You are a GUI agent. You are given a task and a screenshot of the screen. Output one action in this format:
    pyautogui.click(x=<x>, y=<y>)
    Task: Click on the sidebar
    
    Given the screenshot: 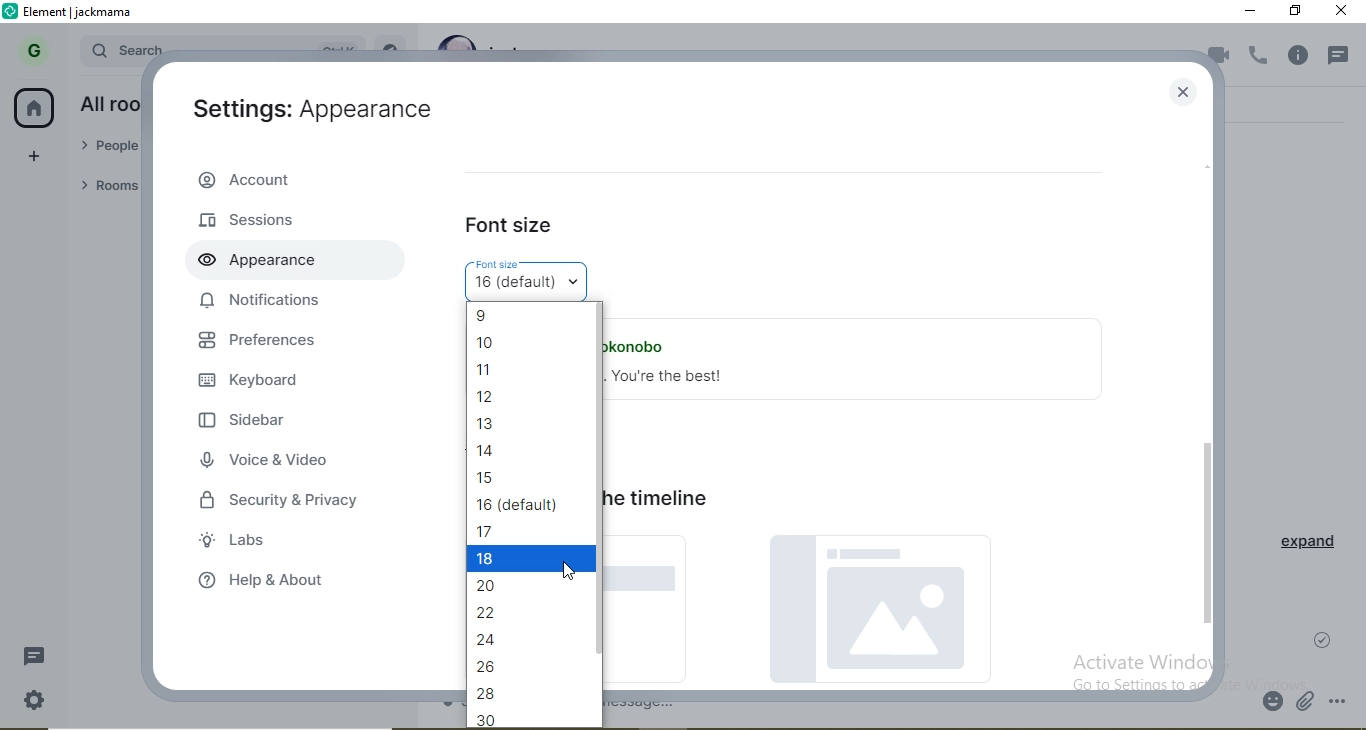 What is the action you would take?
    pyautogui.click(x=244, y=423)
    